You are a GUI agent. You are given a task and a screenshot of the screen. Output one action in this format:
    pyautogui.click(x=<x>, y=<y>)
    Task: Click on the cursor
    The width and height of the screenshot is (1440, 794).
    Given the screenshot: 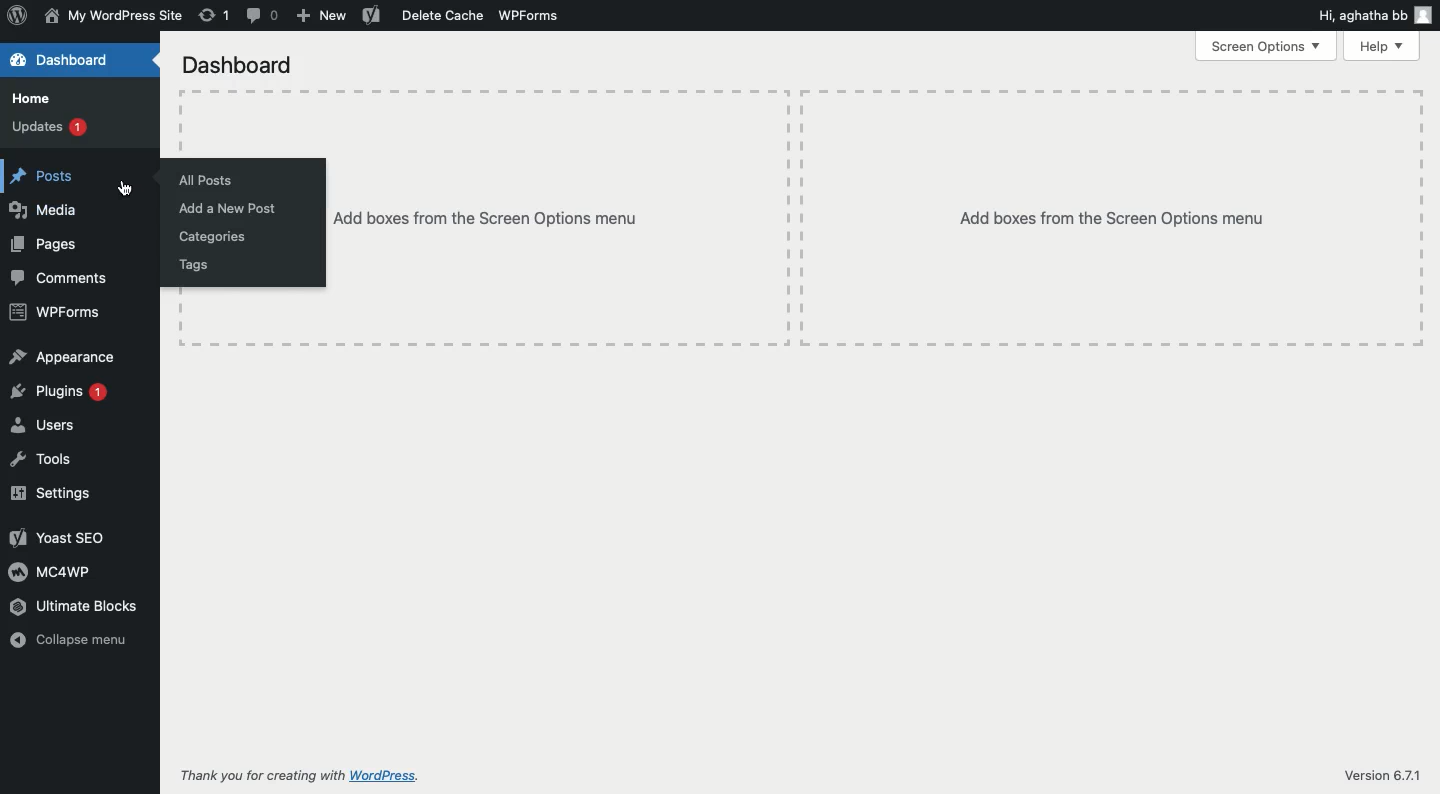 What is the action you would take?
    pyautogui.click(x=128, y=183)
    